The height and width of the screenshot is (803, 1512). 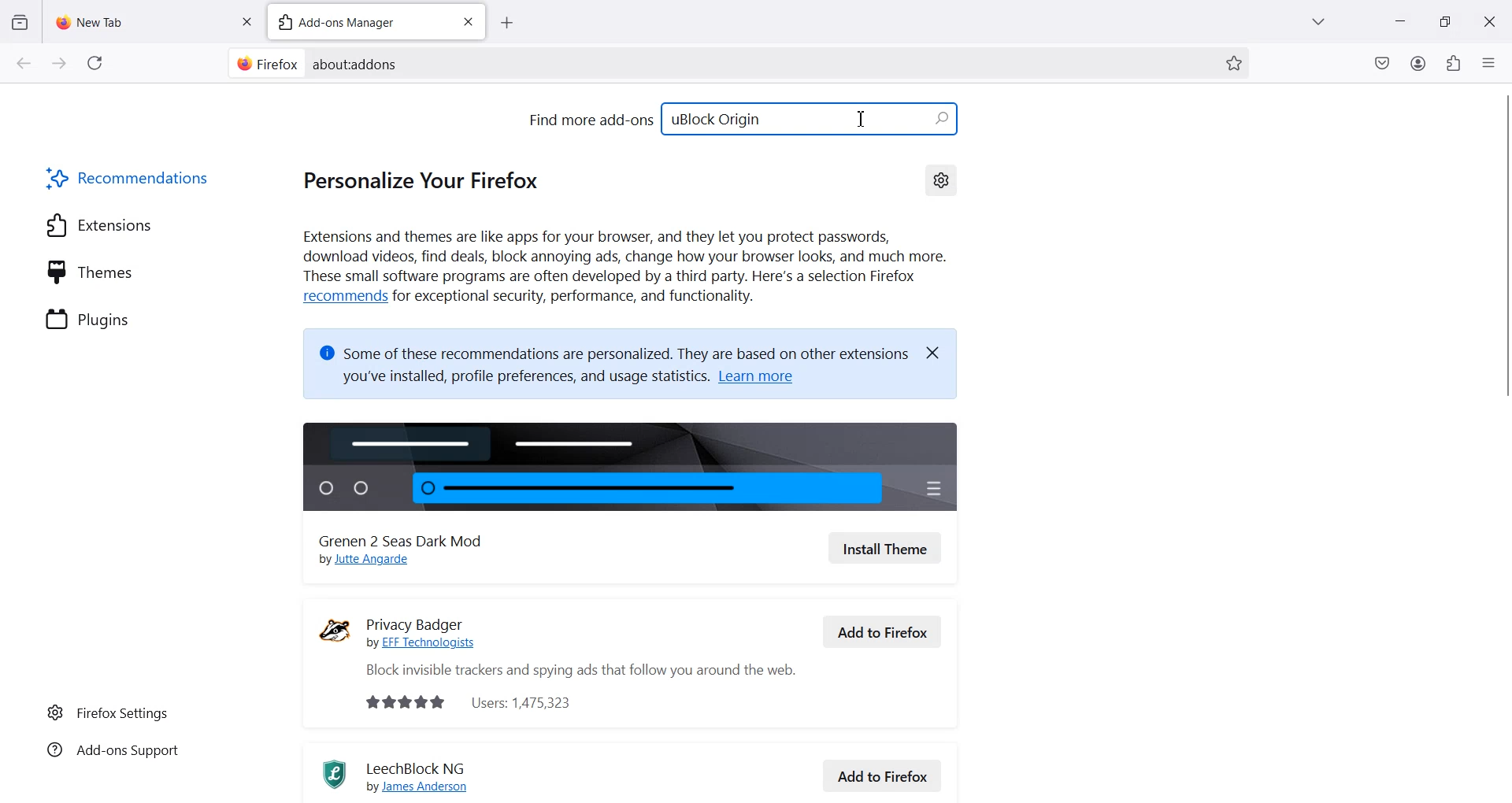 I want to click on Install Theme, so click(x=885, y=548).